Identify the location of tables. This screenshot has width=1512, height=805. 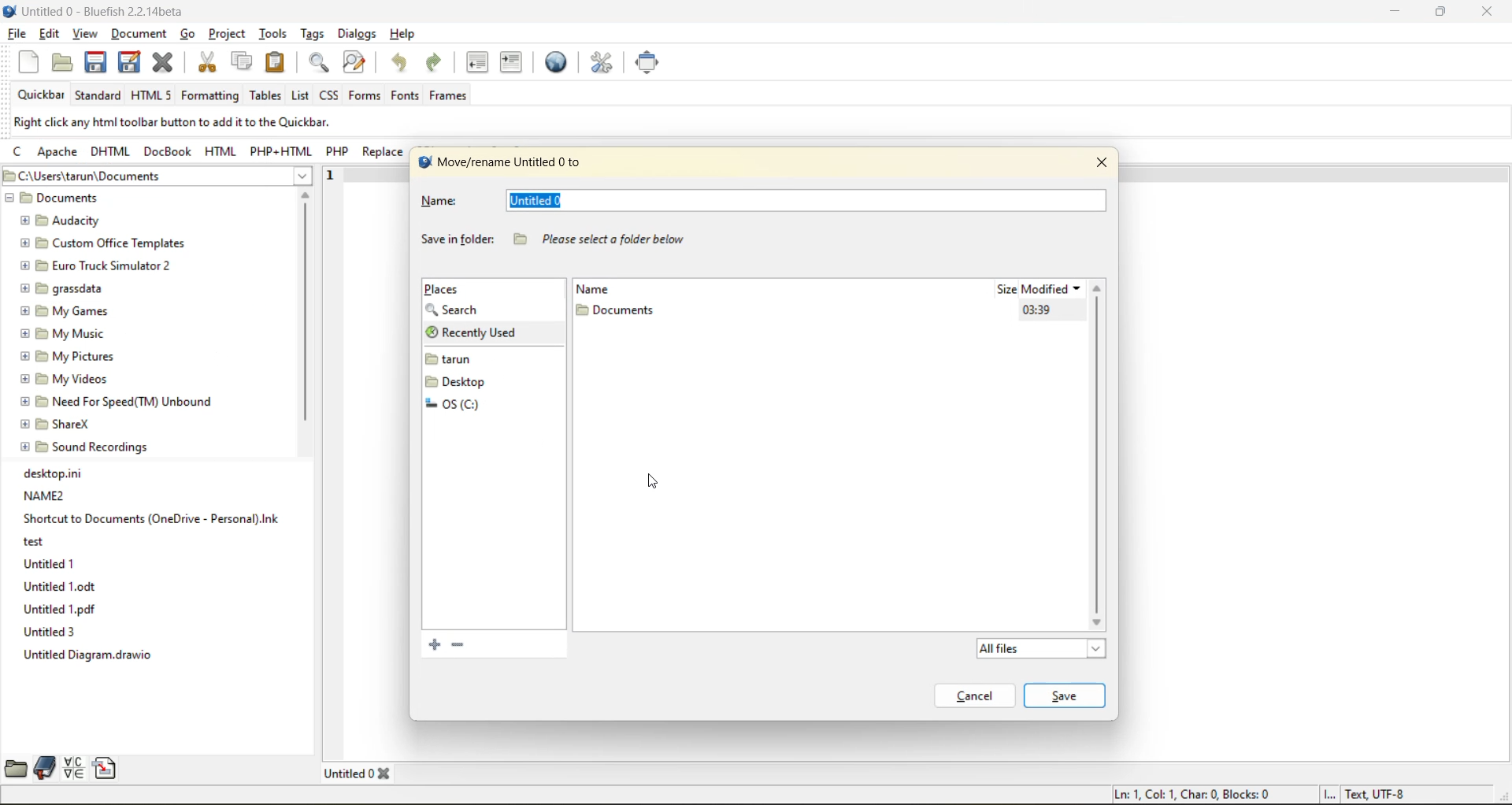
(267, 98).